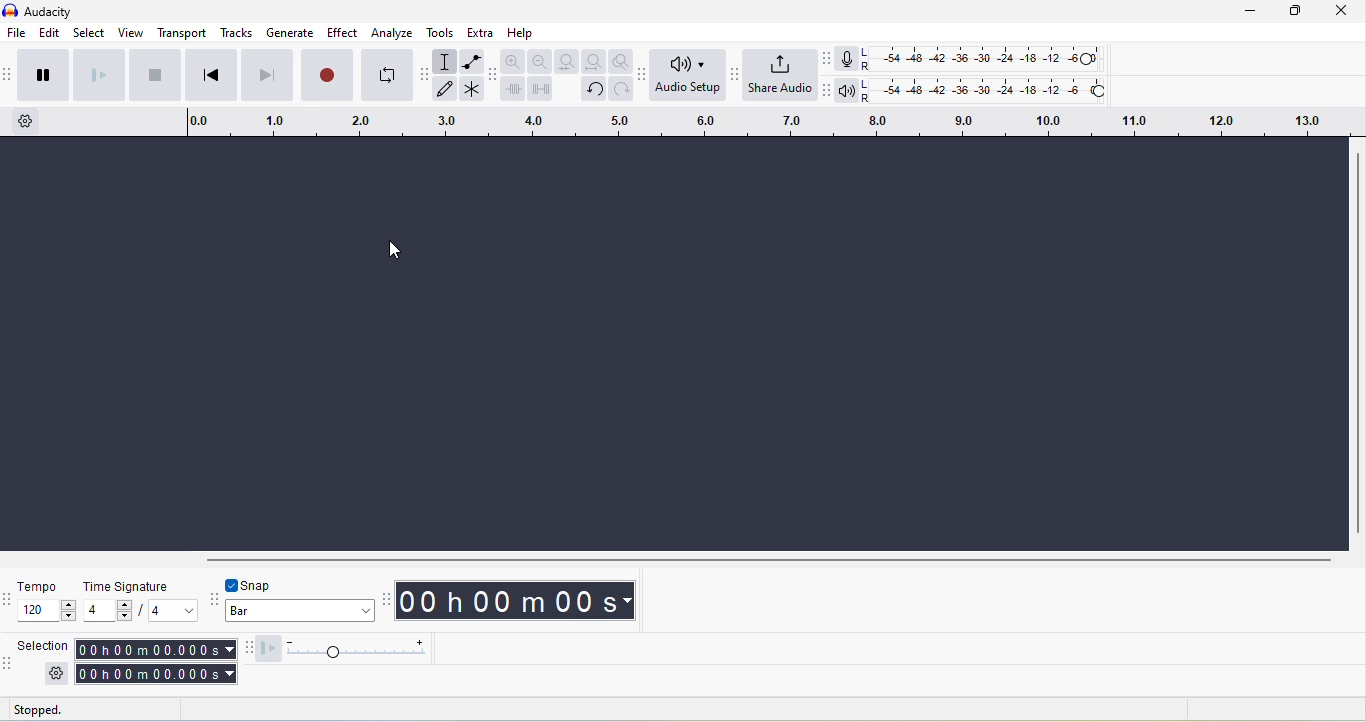 This screenshot has height=722, width=1366. I want to click on skip to start, so click(212, 73).